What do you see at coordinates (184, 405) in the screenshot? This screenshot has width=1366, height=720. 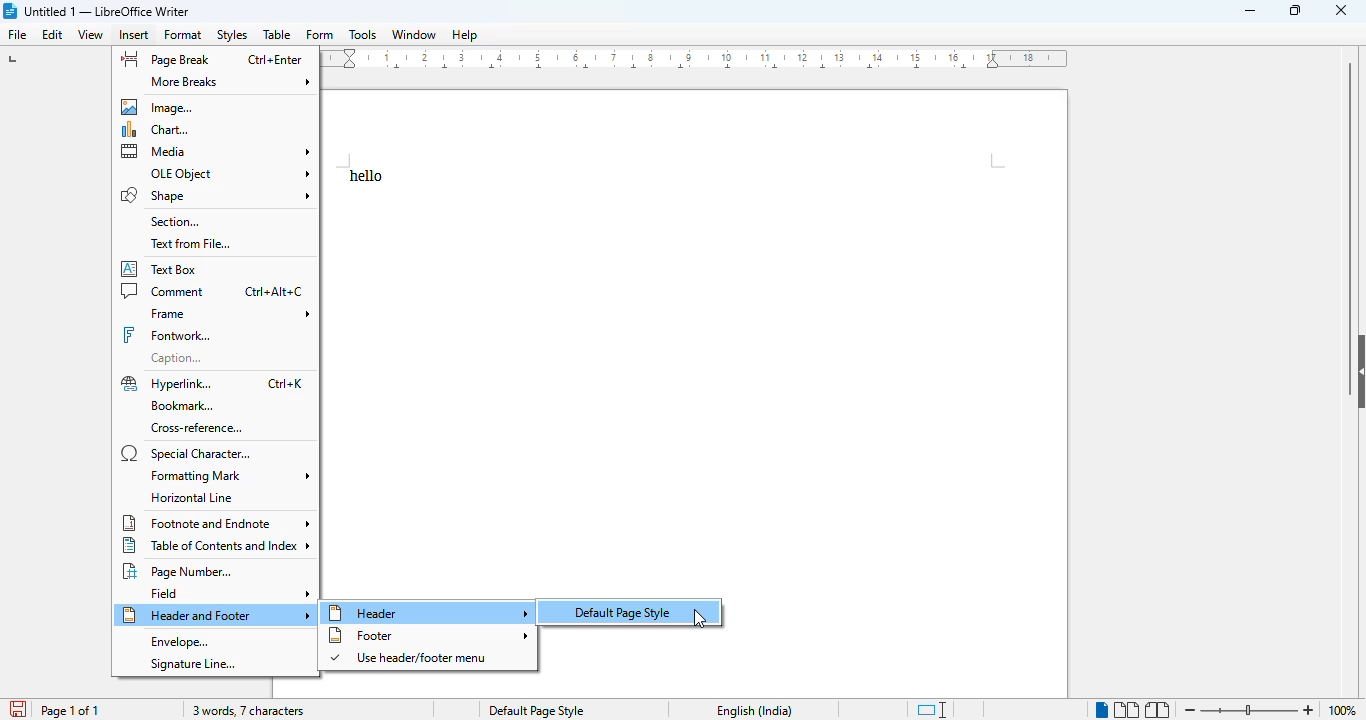 I see `bookmark` at bounding box center [184, 405].